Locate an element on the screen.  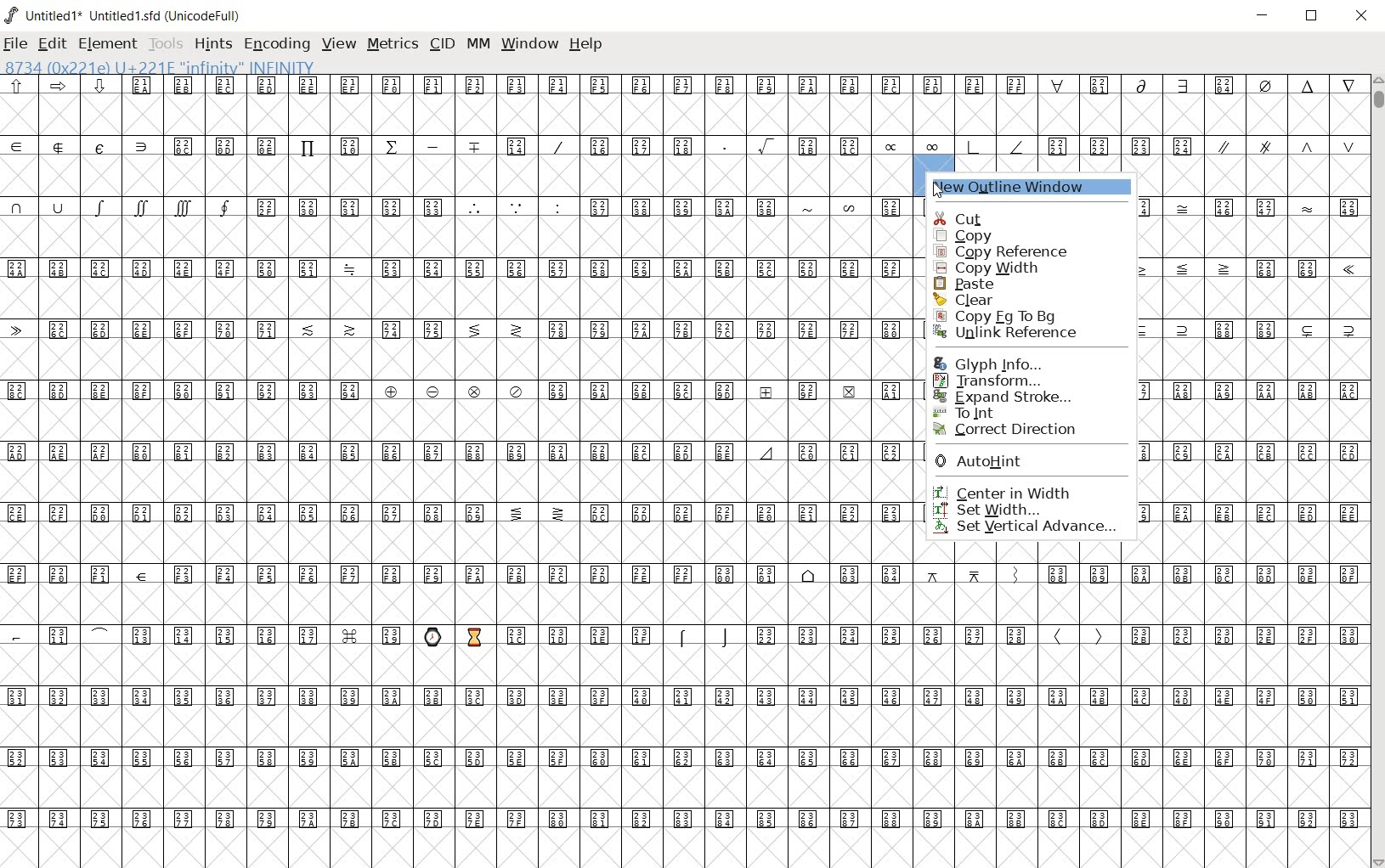
Unicode code points is located at coordinates (455, 268).